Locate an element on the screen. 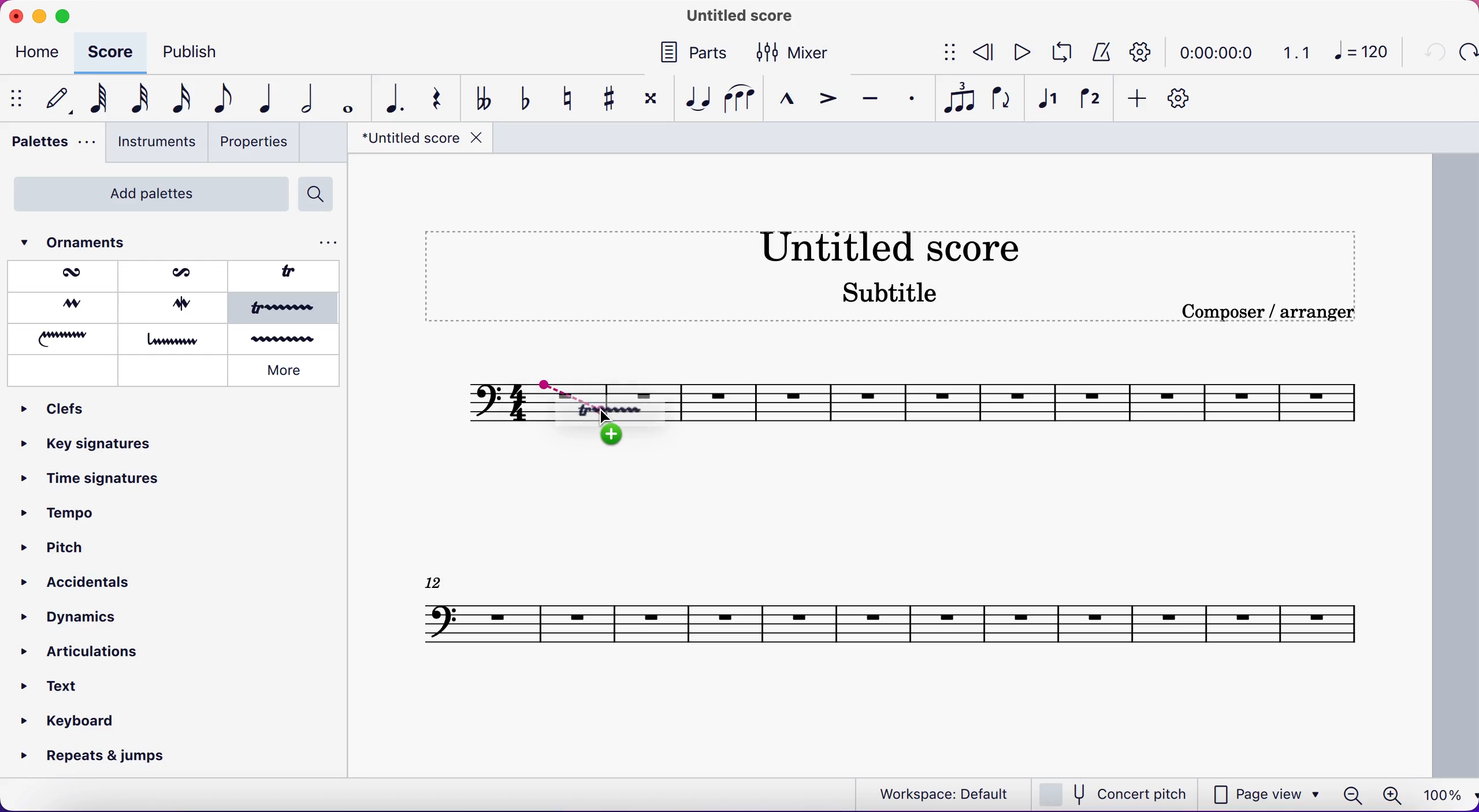  inverted mordent is located at coordinates (176, 275).